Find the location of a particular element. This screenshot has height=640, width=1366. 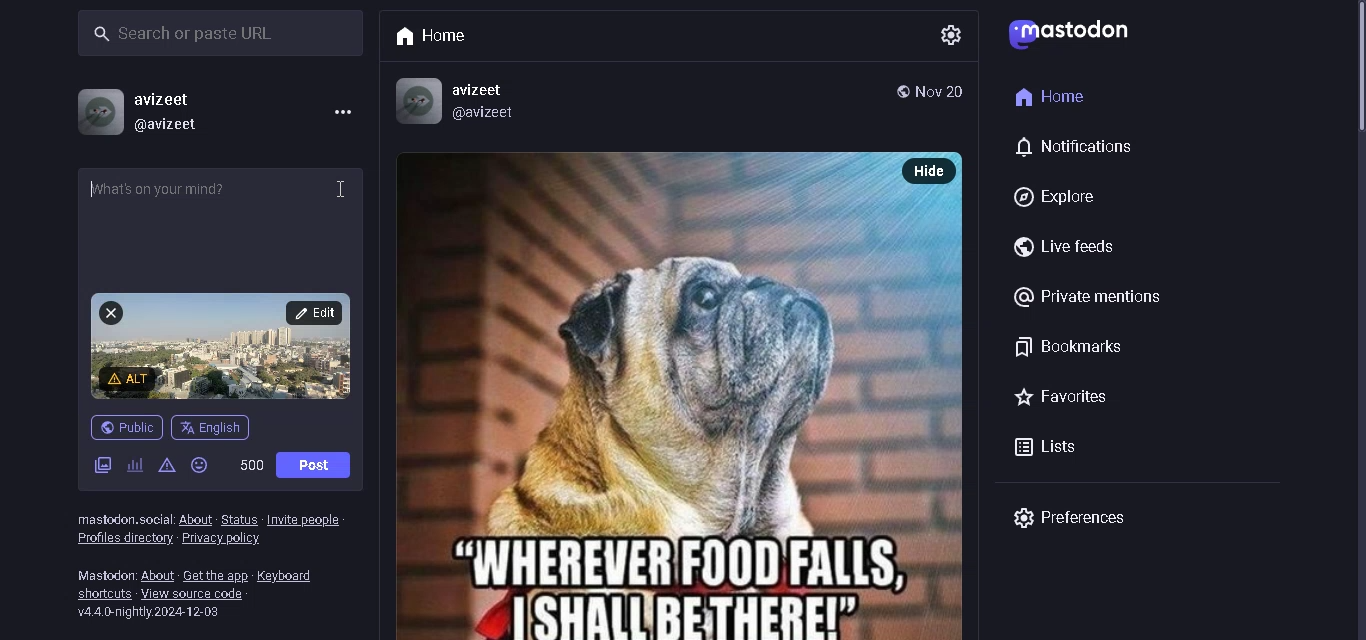

Invite people is located at coordinates (302, 517).